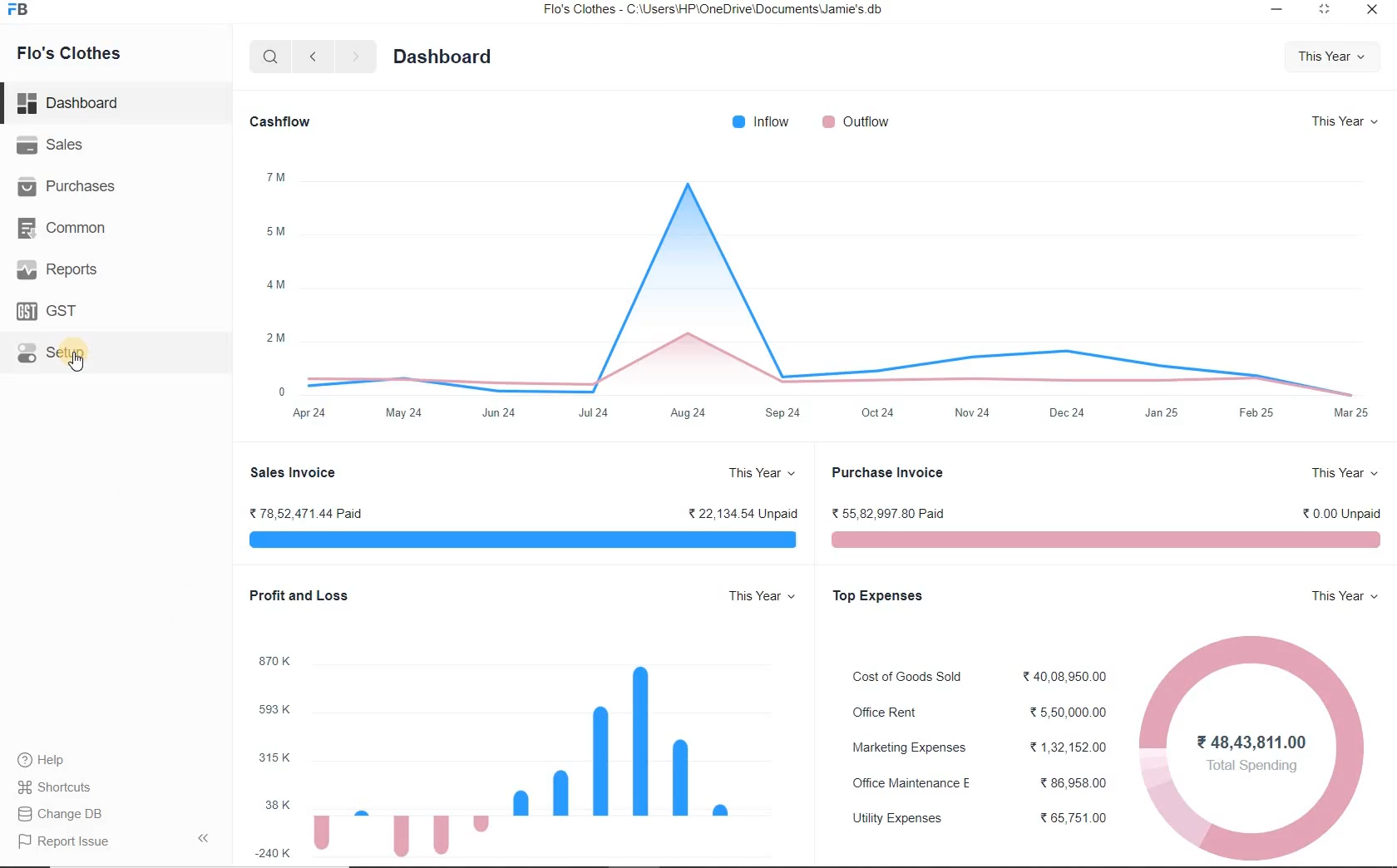 The width and height of the screenshot is (1397, 868). I want to click on Frappe Books logo, so click(22, 12).